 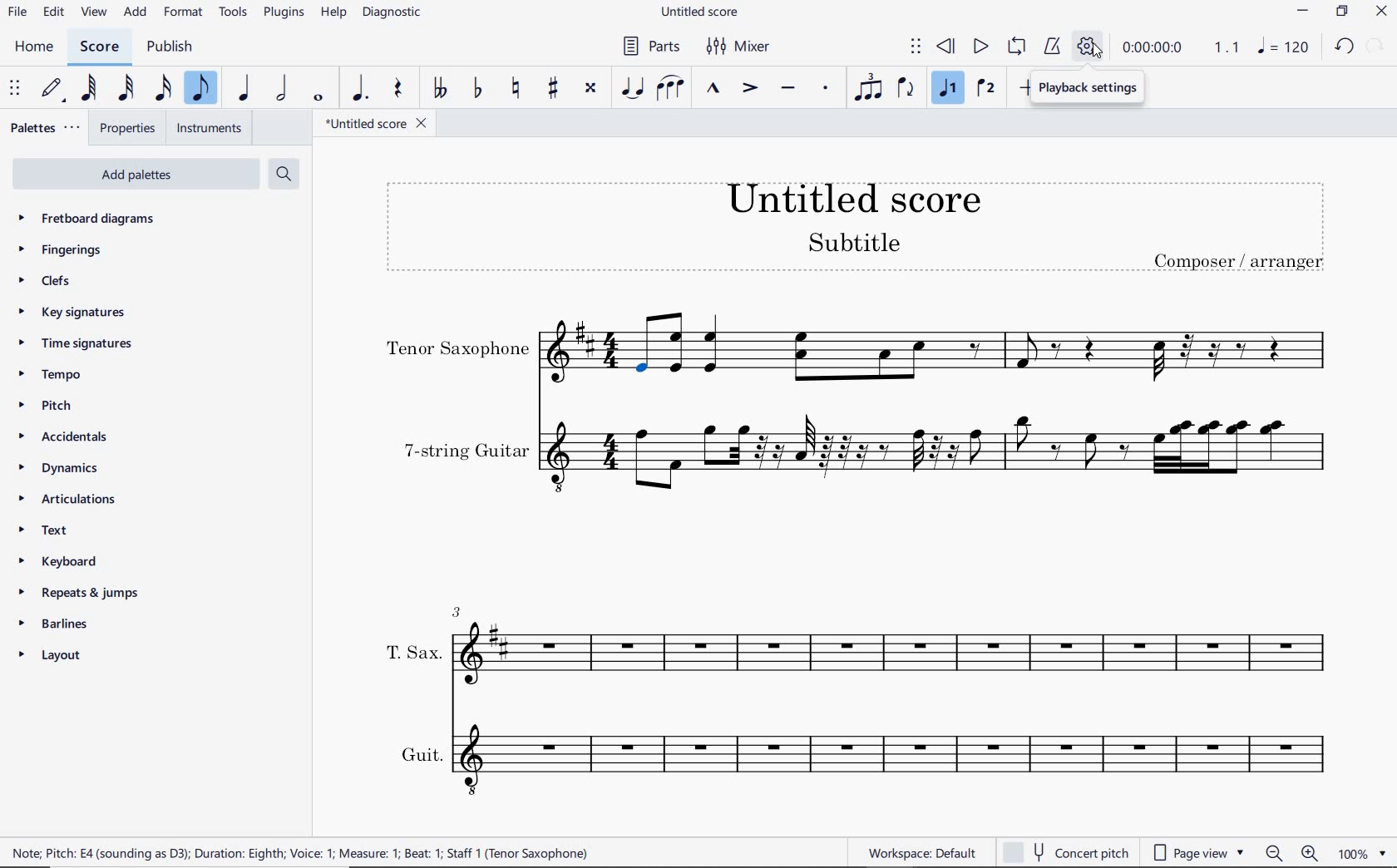 What do you see at coordinates (279, 89) in the screenshot?
I see `HALF NOTE` at bounding box center [279, 89].